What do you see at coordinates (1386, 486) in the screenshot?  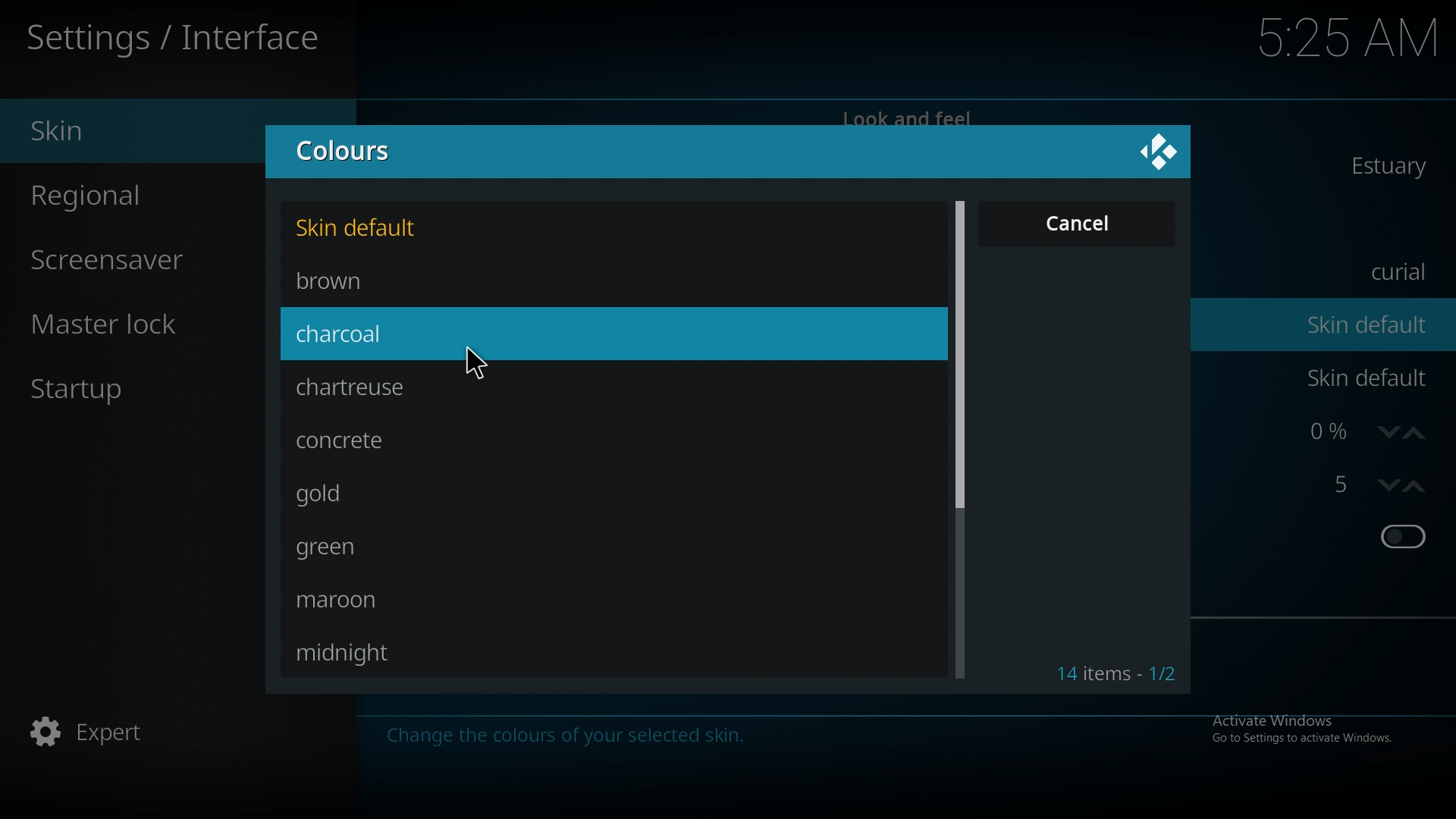 I see `decrease` at bounding box center [1386, 486].